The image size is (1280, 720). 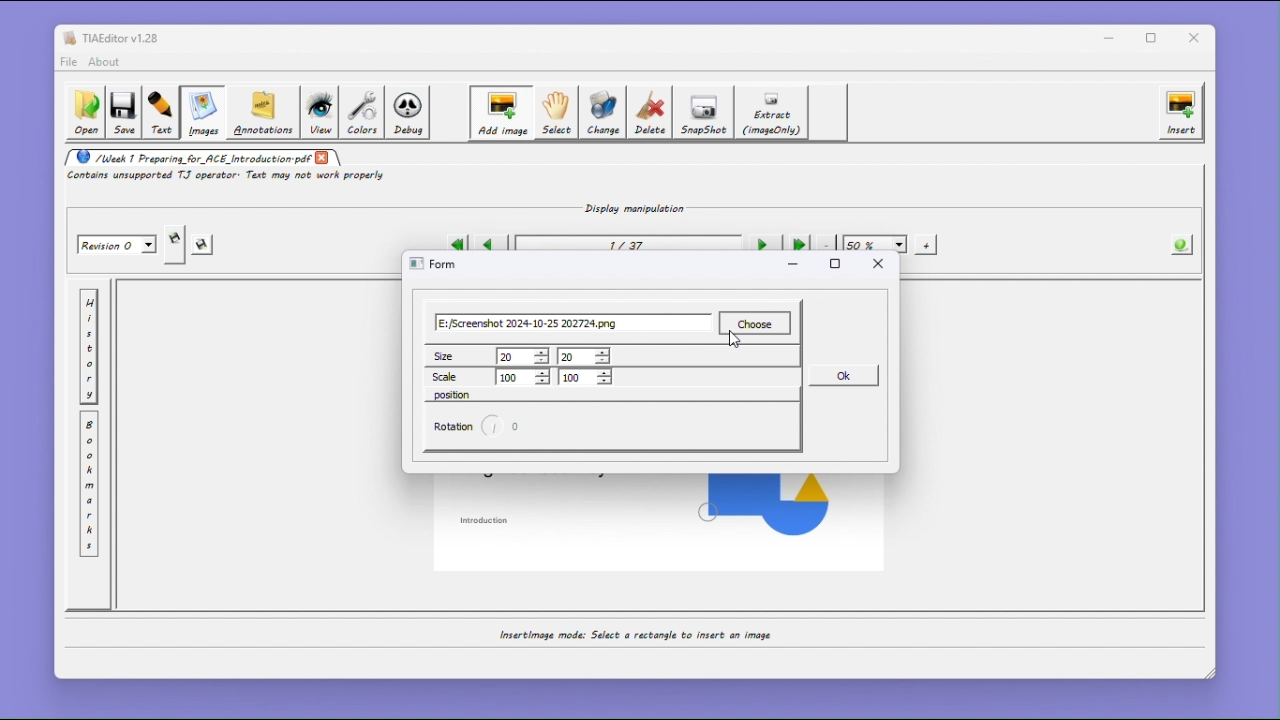 I want to click on insert, so click(x=1181, y=112).